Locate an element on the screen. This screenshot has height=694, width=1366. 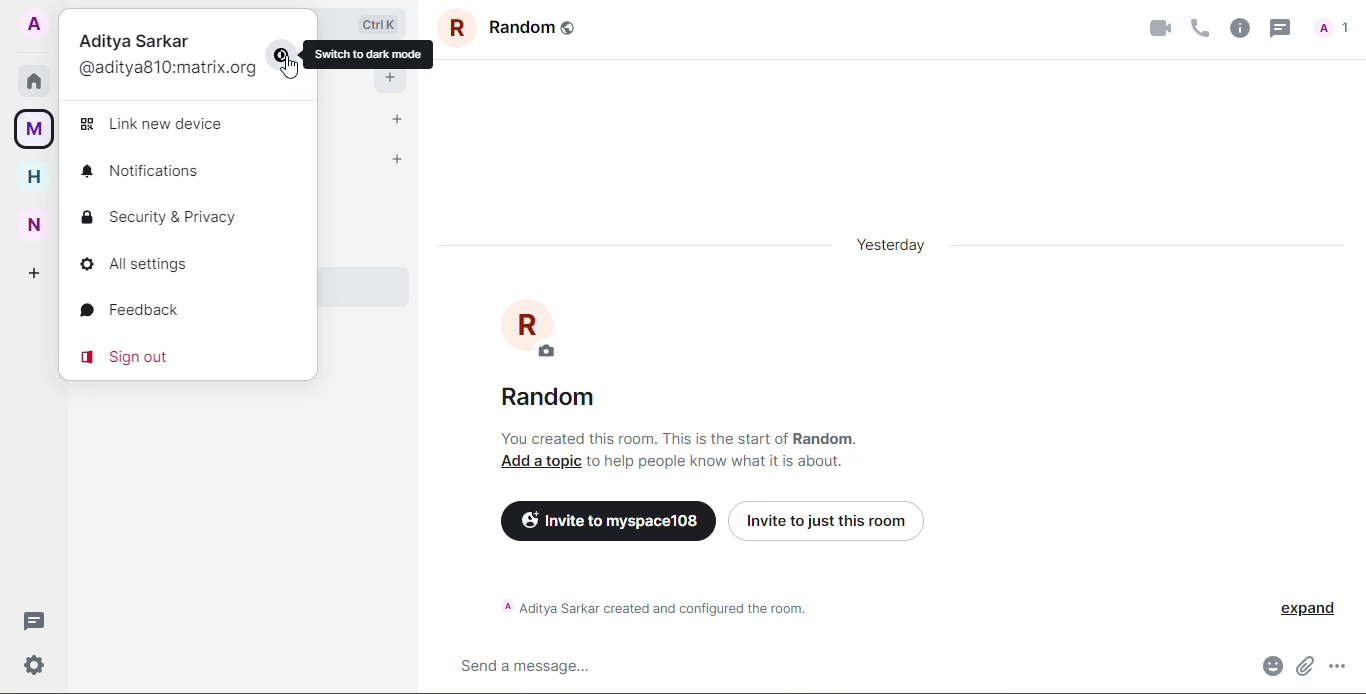
threads is located at coordinates (34, 621).